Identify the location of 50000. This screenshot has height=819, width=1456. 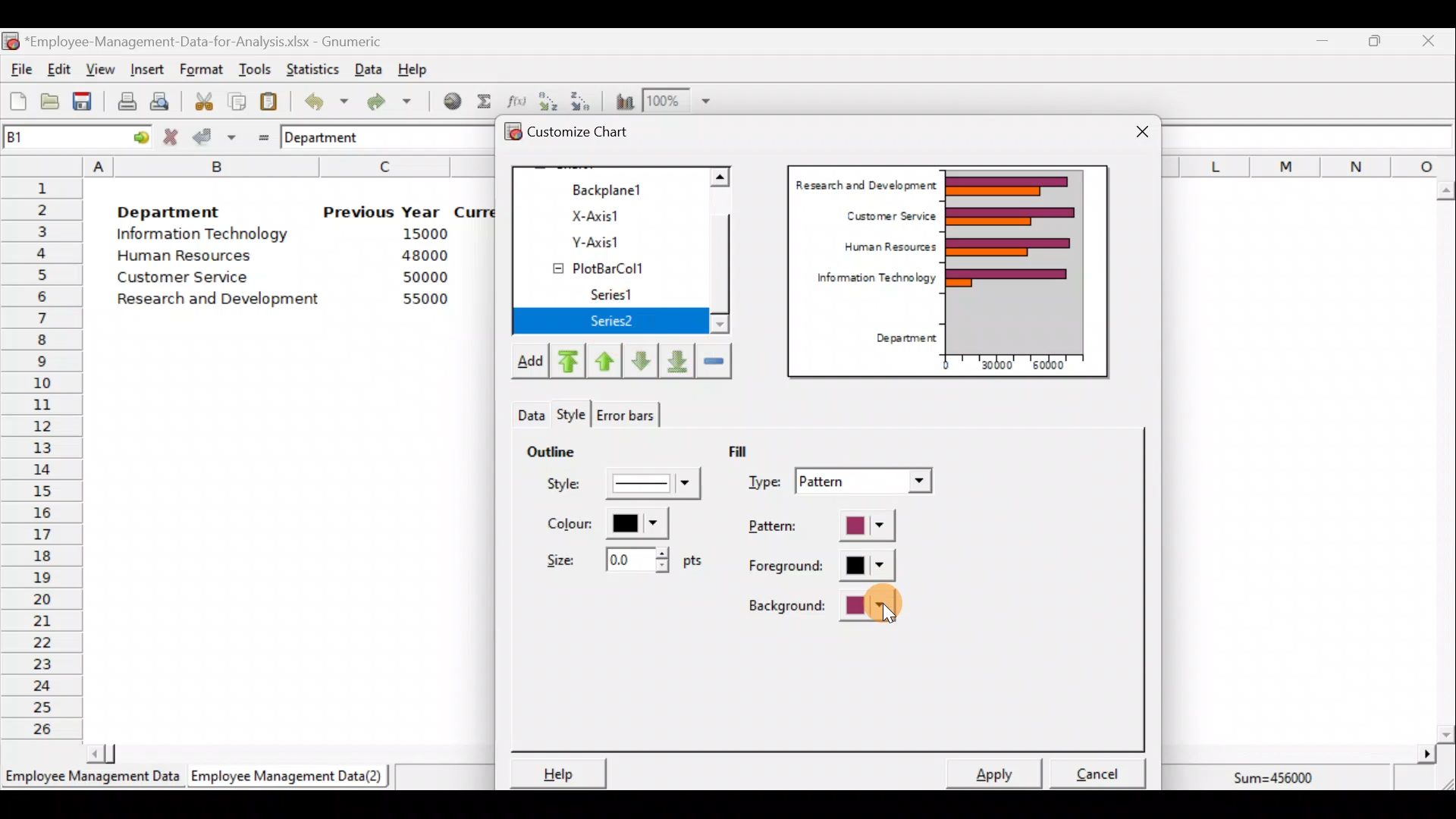
(429, 277).